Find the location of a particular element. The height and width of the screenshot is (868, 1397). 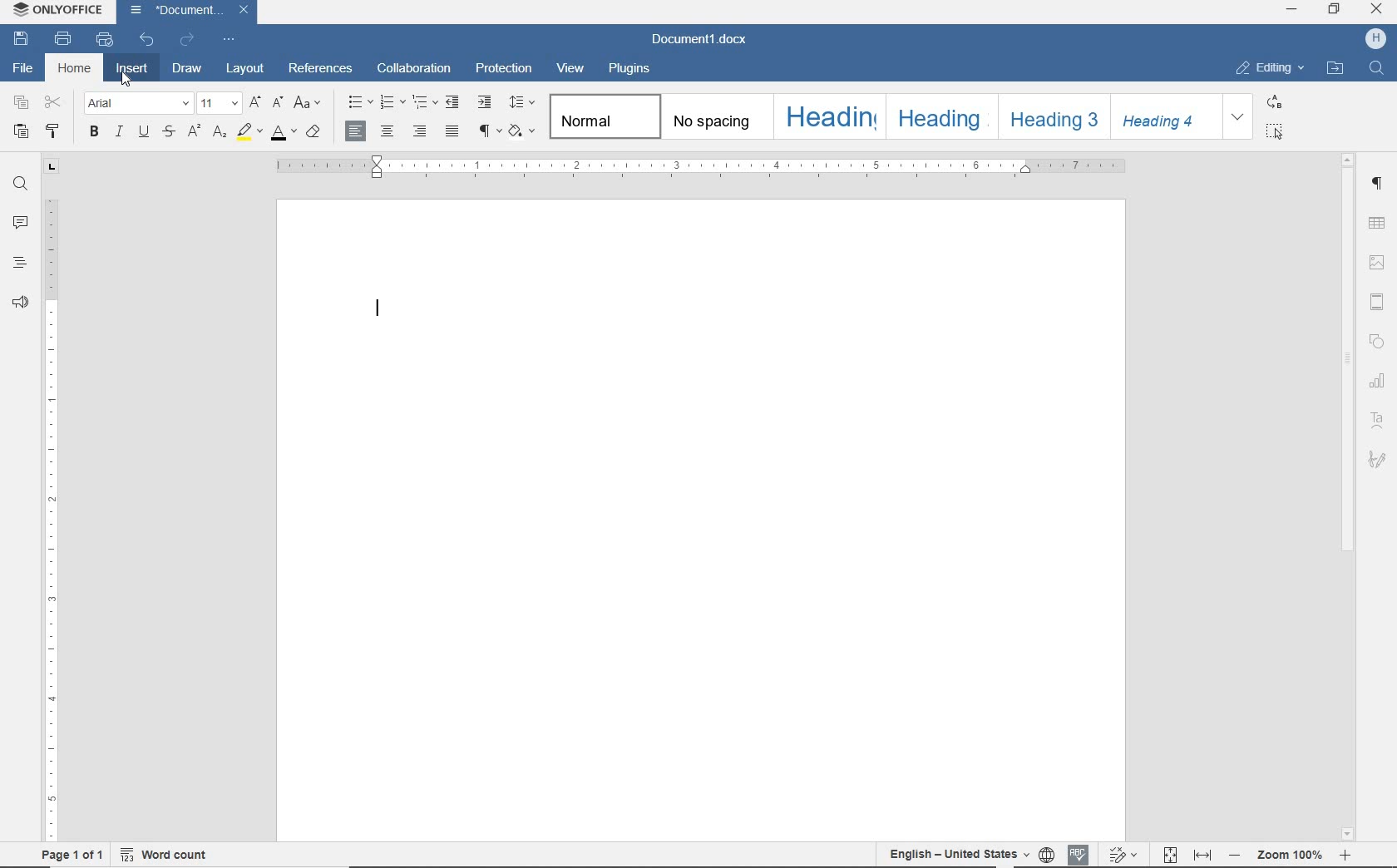

increase indent is located at coordinates (485, 101).